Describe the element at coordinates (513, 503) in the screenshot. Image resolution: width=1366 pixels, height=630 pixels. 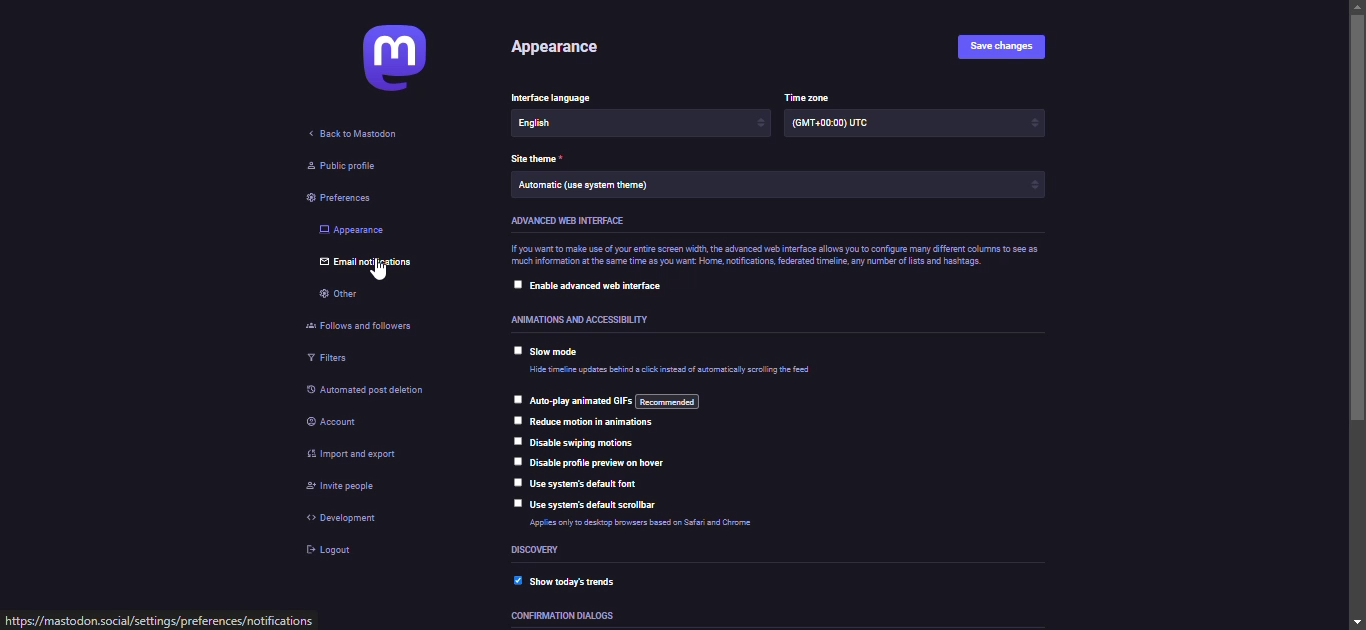
I see `click to select` at that location.